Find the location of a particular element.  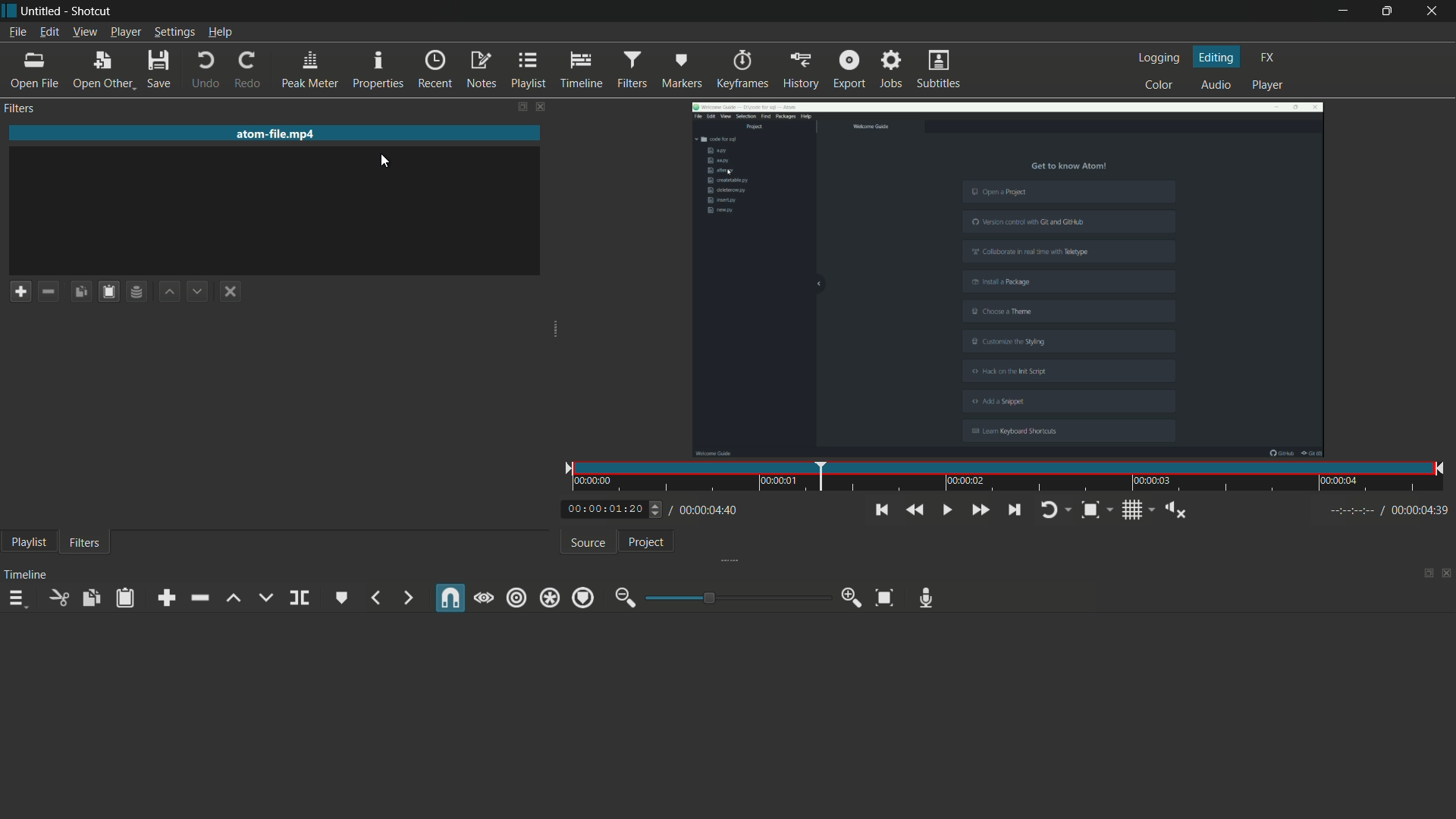

timeline menu is located at coordinates (17, 599).